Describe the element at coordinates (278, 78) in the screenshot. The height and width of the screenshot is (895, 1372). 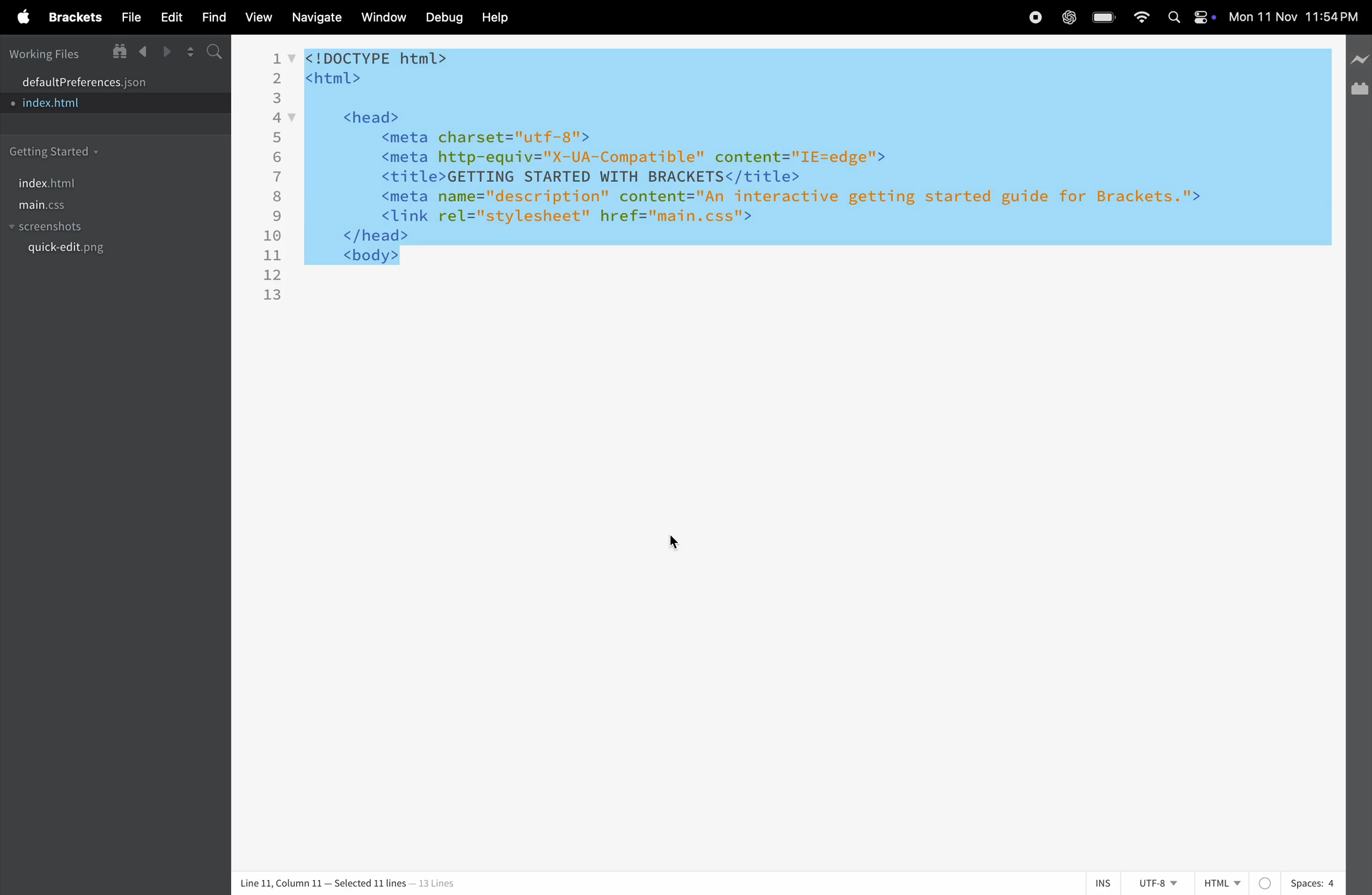
I see `2` at that location.